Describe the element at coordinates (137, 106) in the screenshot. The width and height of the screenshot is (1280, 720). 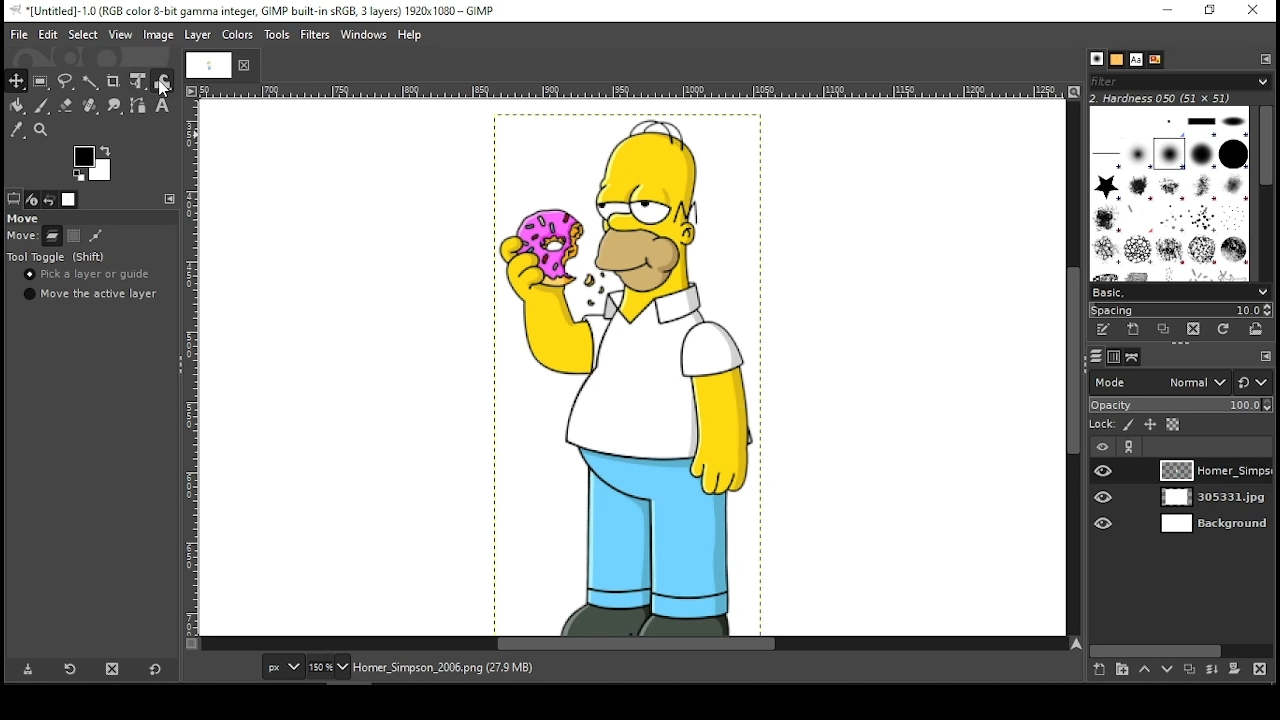
I see `paths tool` at that location.